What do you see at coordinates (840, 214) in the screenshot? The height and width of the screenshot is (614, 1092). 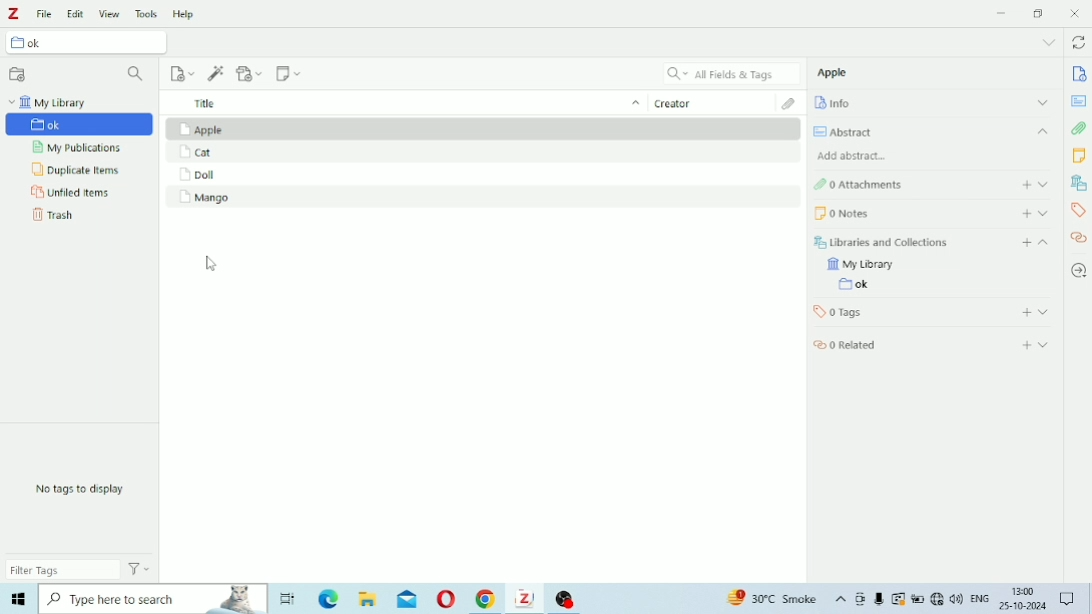 I see `Notes` at bounding box center [840, 214].